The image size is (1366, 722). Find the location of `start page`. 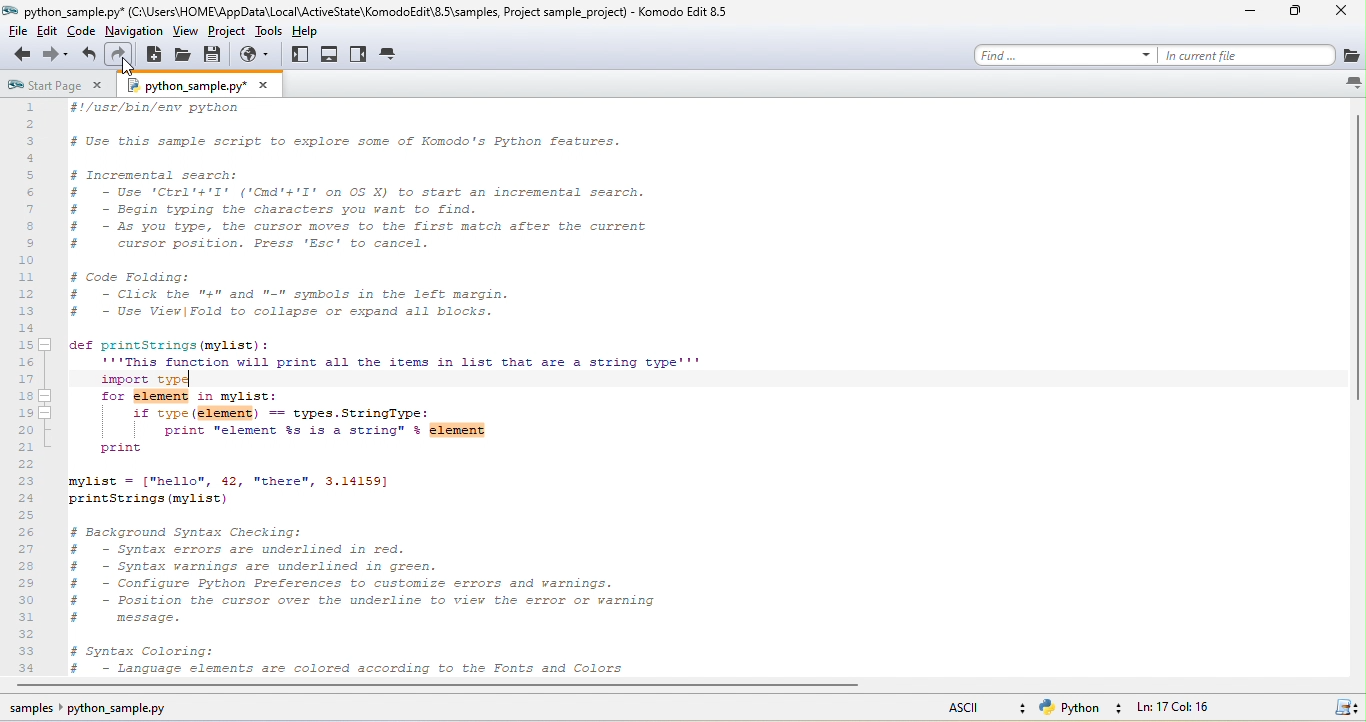

start page is located at coordinates (61, 86).